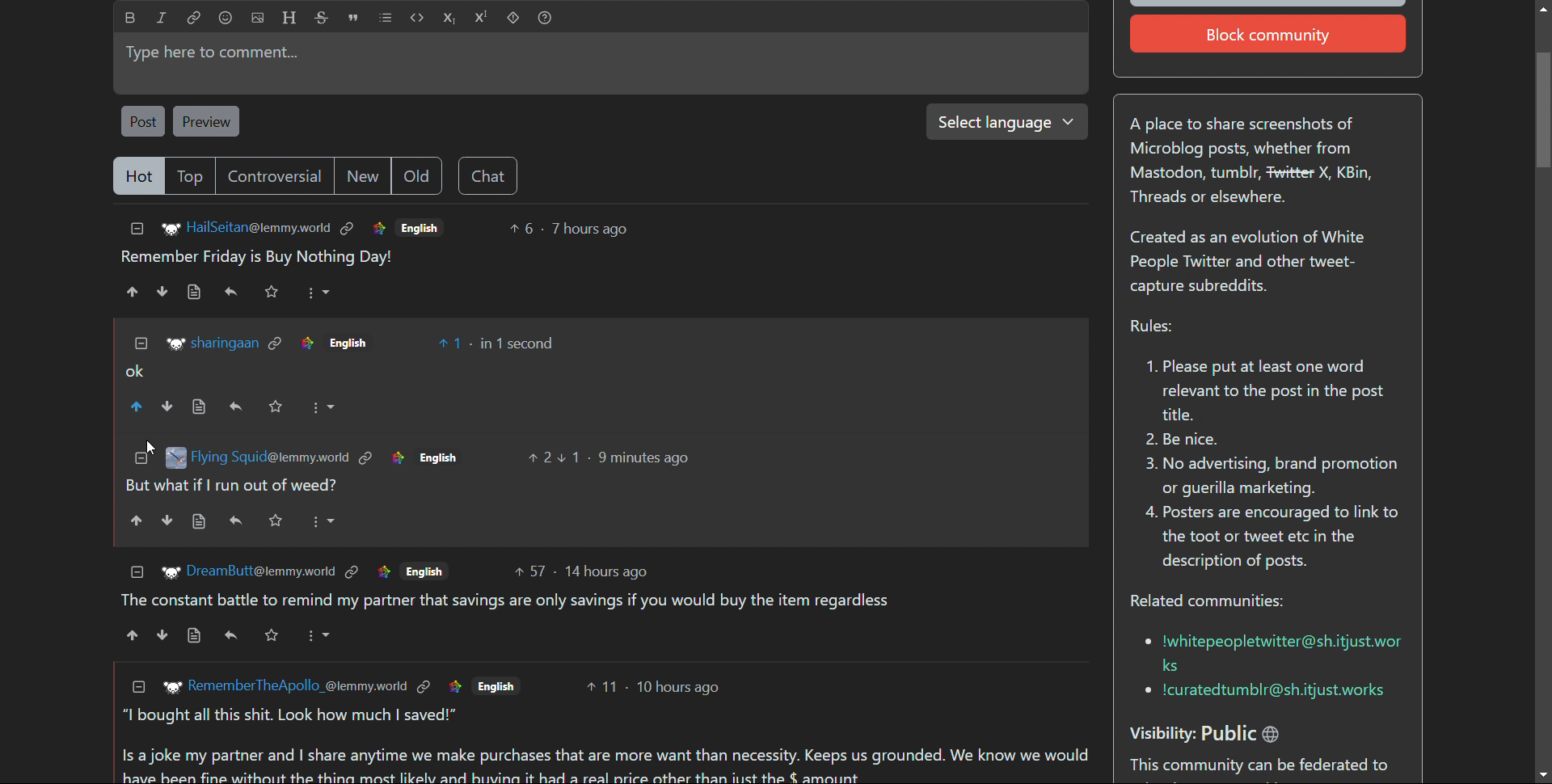 The height and width of the screenshot is (784, 1552). I want to click on downvote, so click(163, 634).